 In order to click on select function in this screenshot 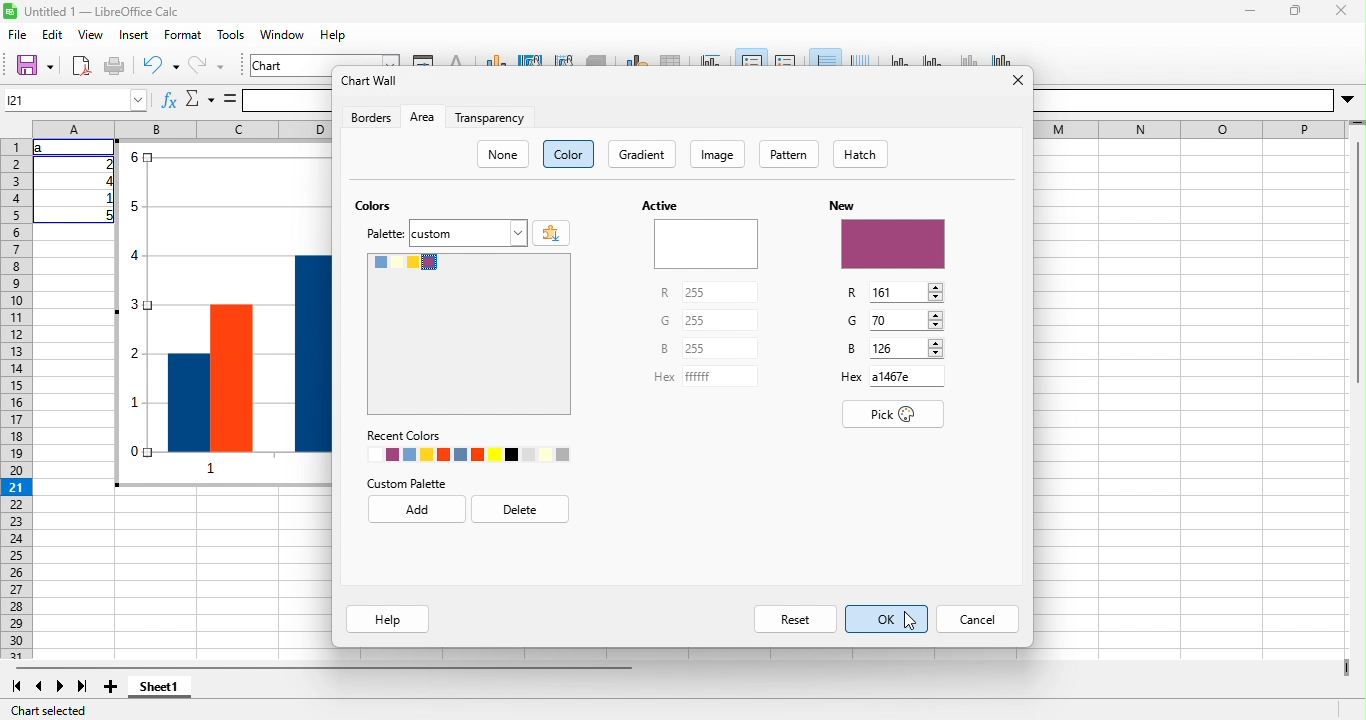, I will do `click(199, 99)`.